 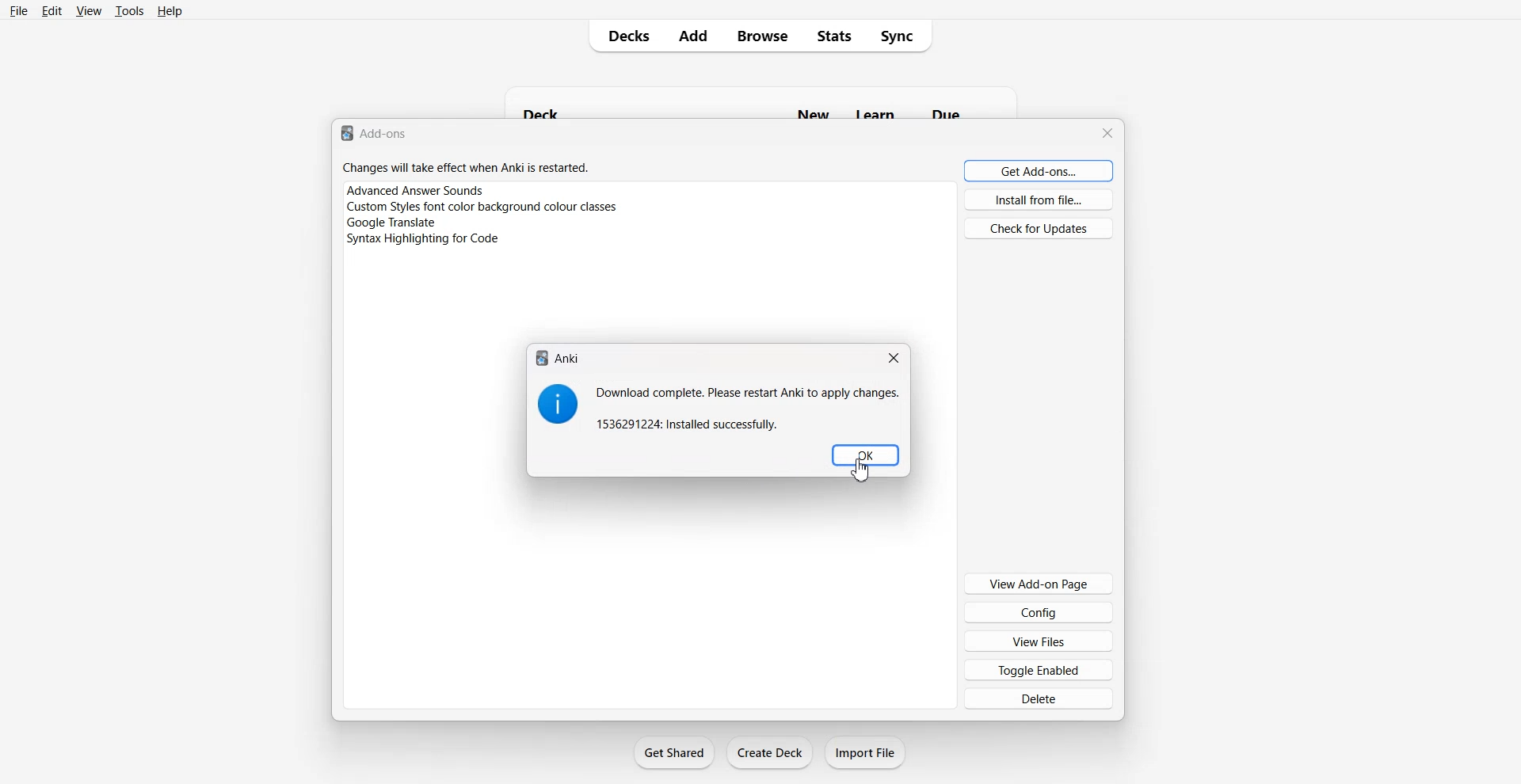 I want to click on Toggle Enabled, so click(x=1039, y=669).